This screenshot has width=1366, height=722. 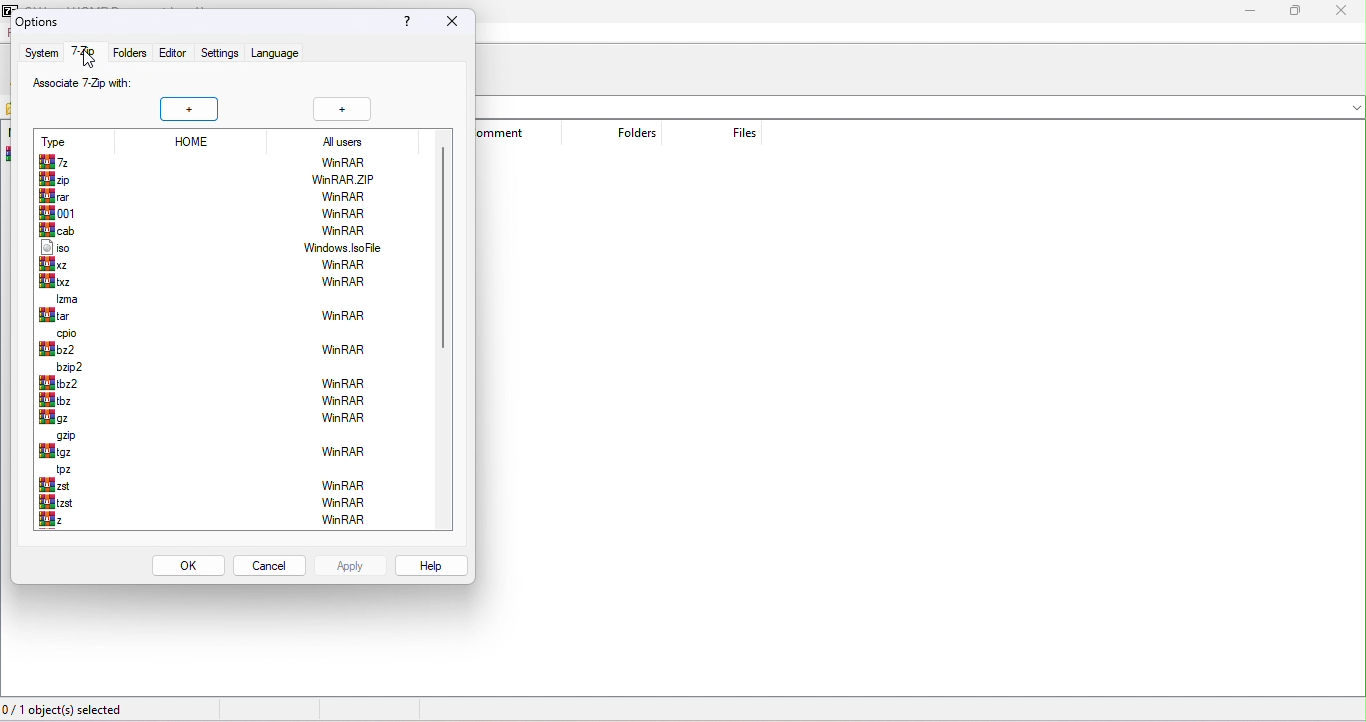 What do you see at coordinates (274, 52) in the screenshot?
I see `language` at bounding box center [274, 52].